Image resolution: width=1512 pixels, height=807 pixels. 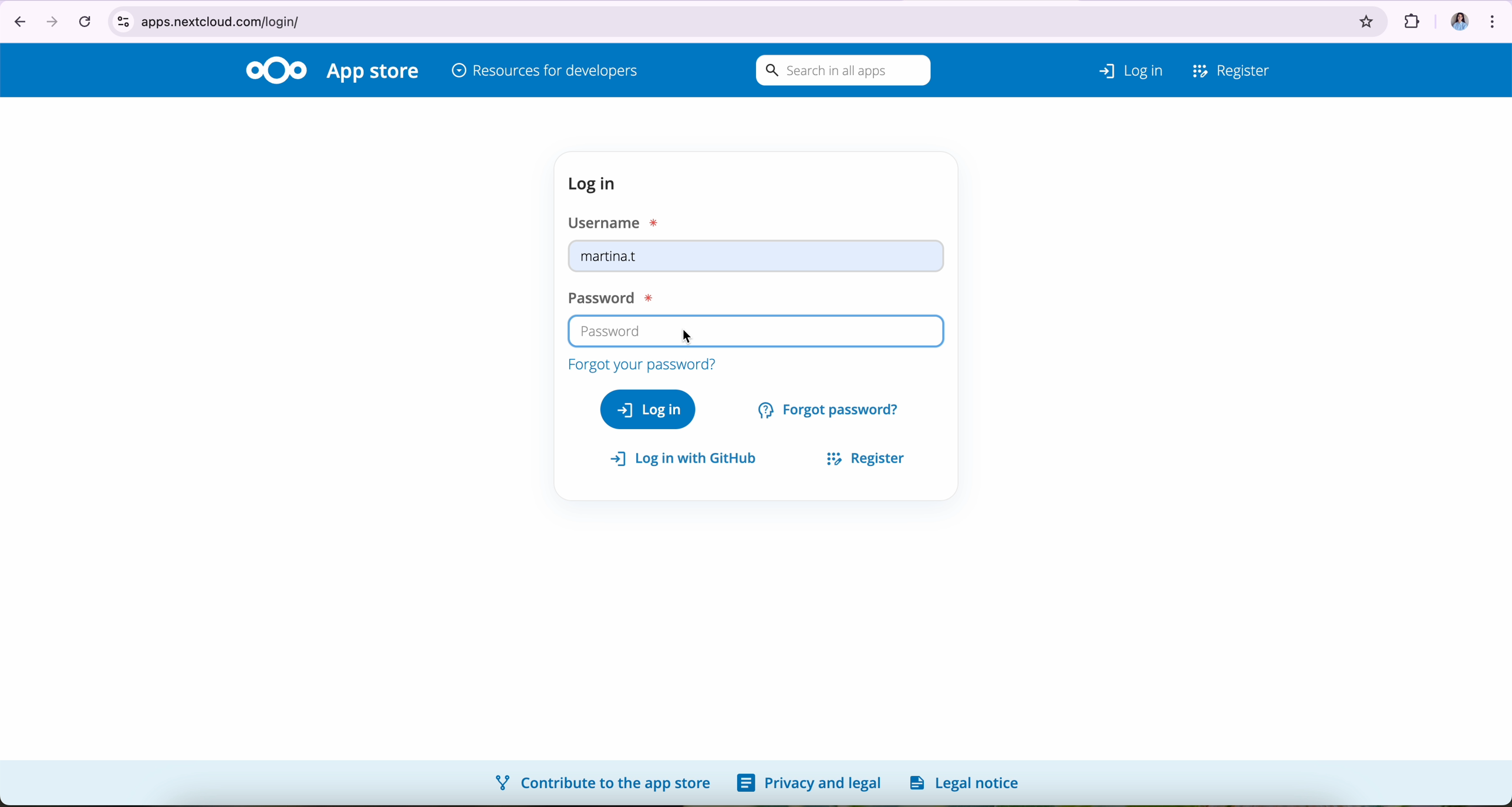 I want to click on favorites, so click(x=1367, y=18).